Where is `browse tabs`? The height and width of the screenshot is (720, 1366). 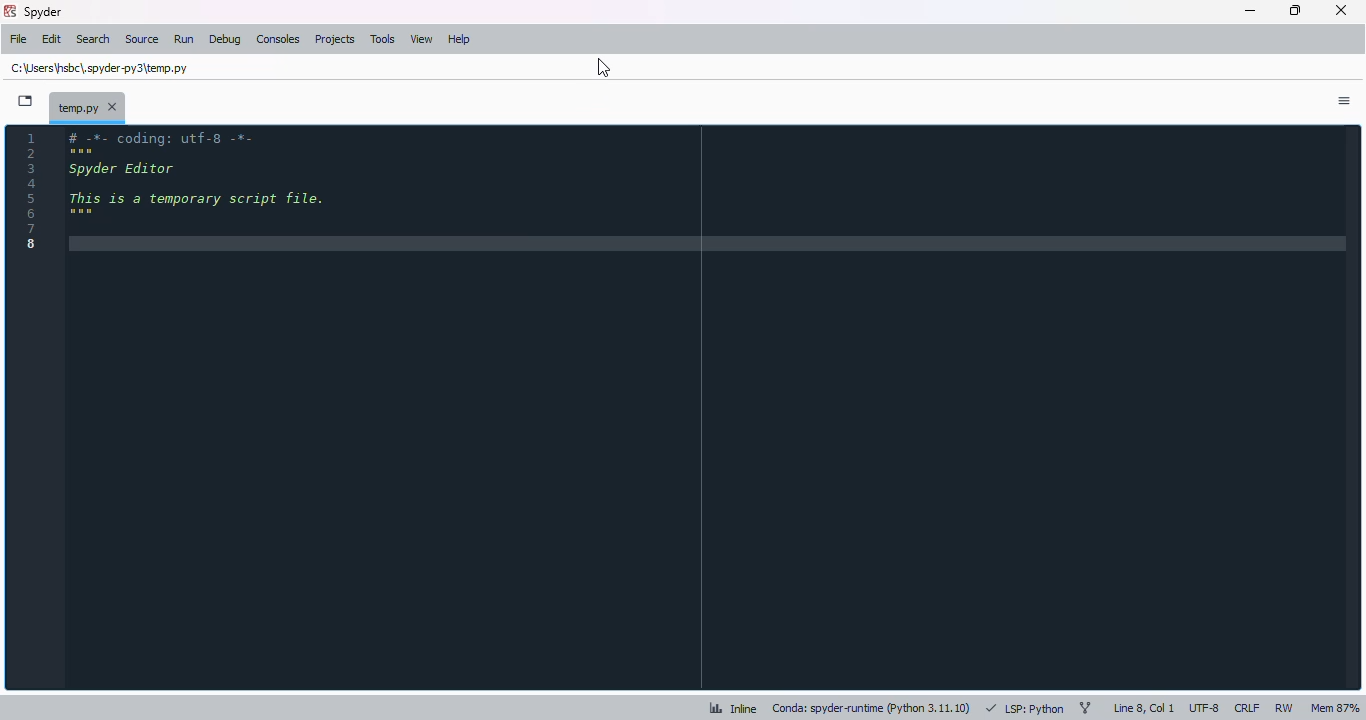
browse tabs is located at coordinates (21, 103).